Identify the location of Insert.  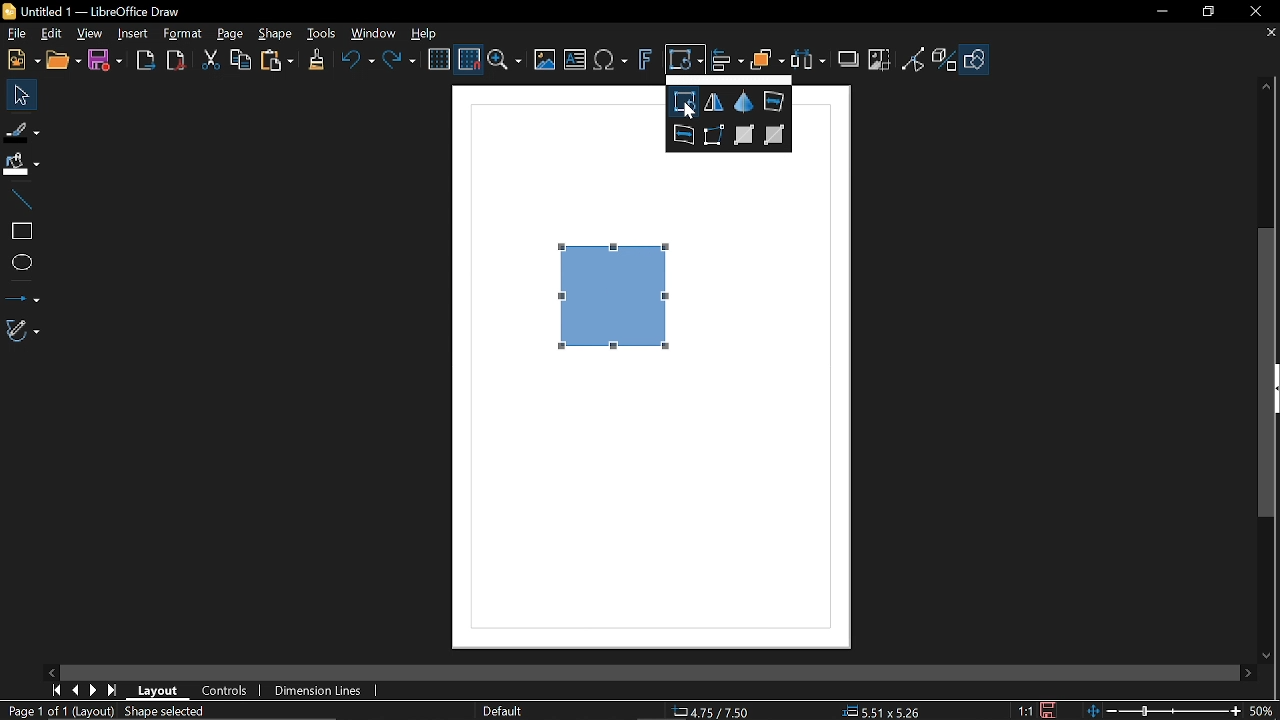
(131, 33).